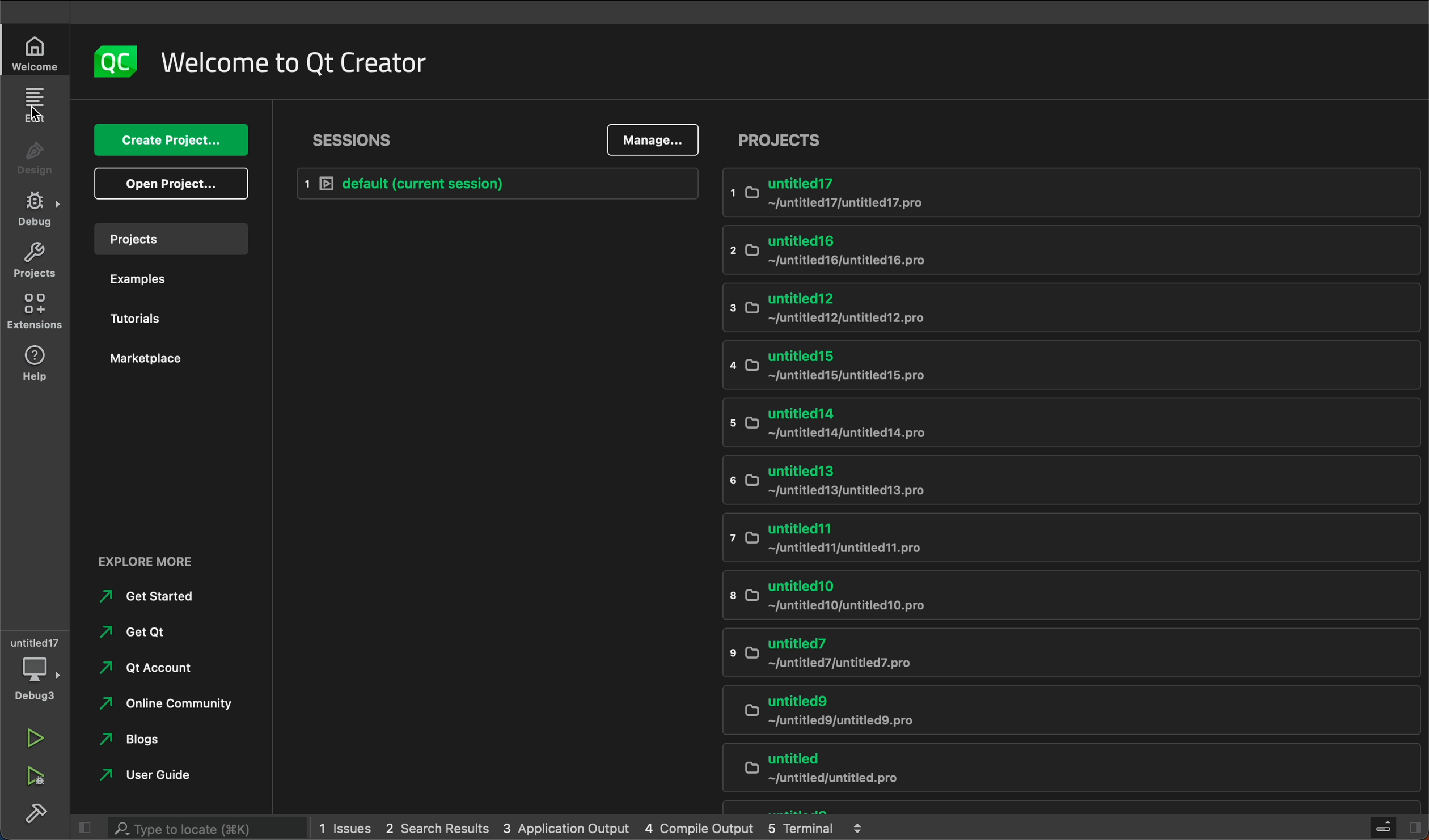 The width and height of the screenshot is (1429, 840). I want to click on debug, so click(39, 209).